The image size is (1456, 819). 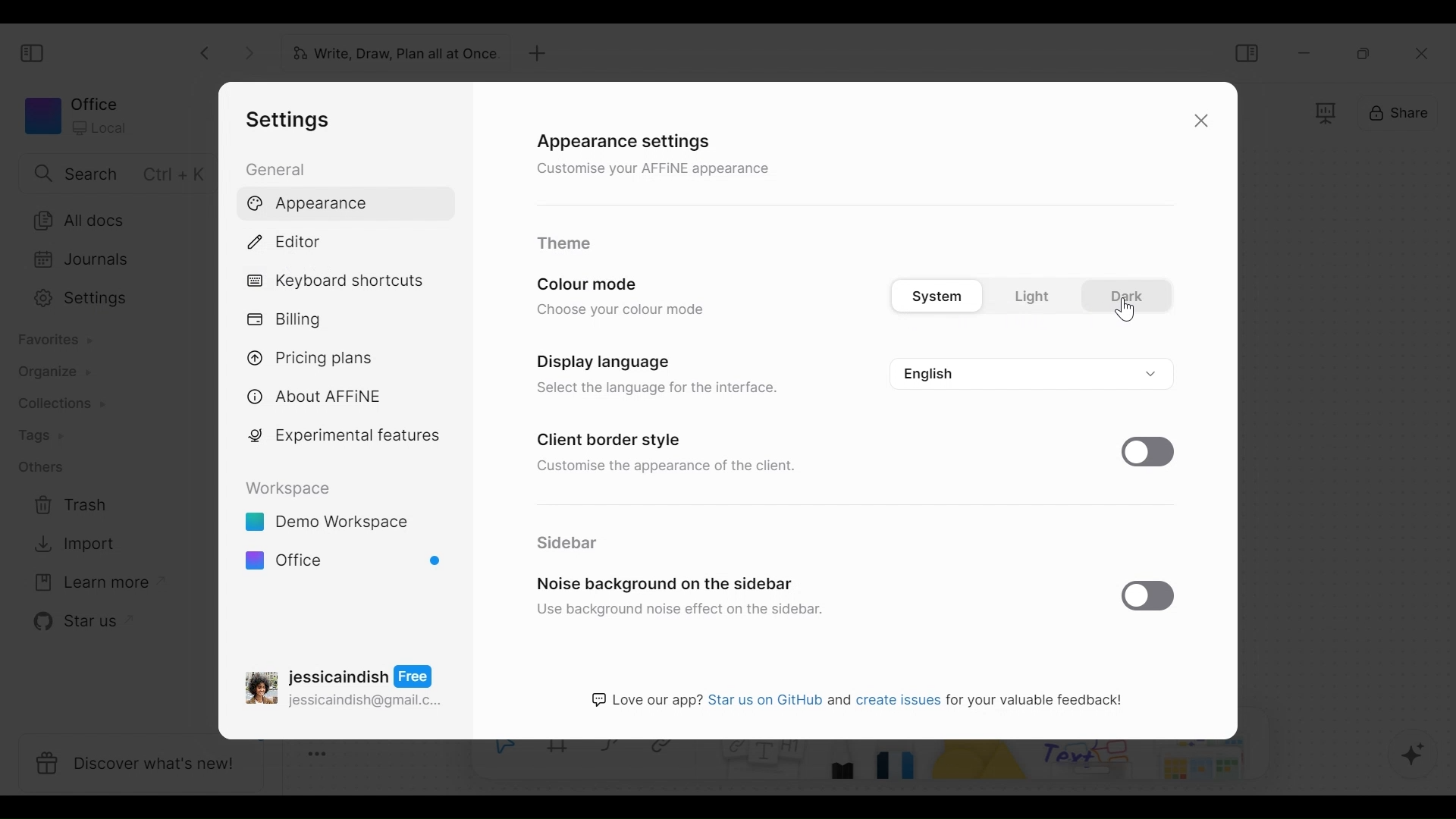 I want to click on Trash, so click(x=76, y=505).